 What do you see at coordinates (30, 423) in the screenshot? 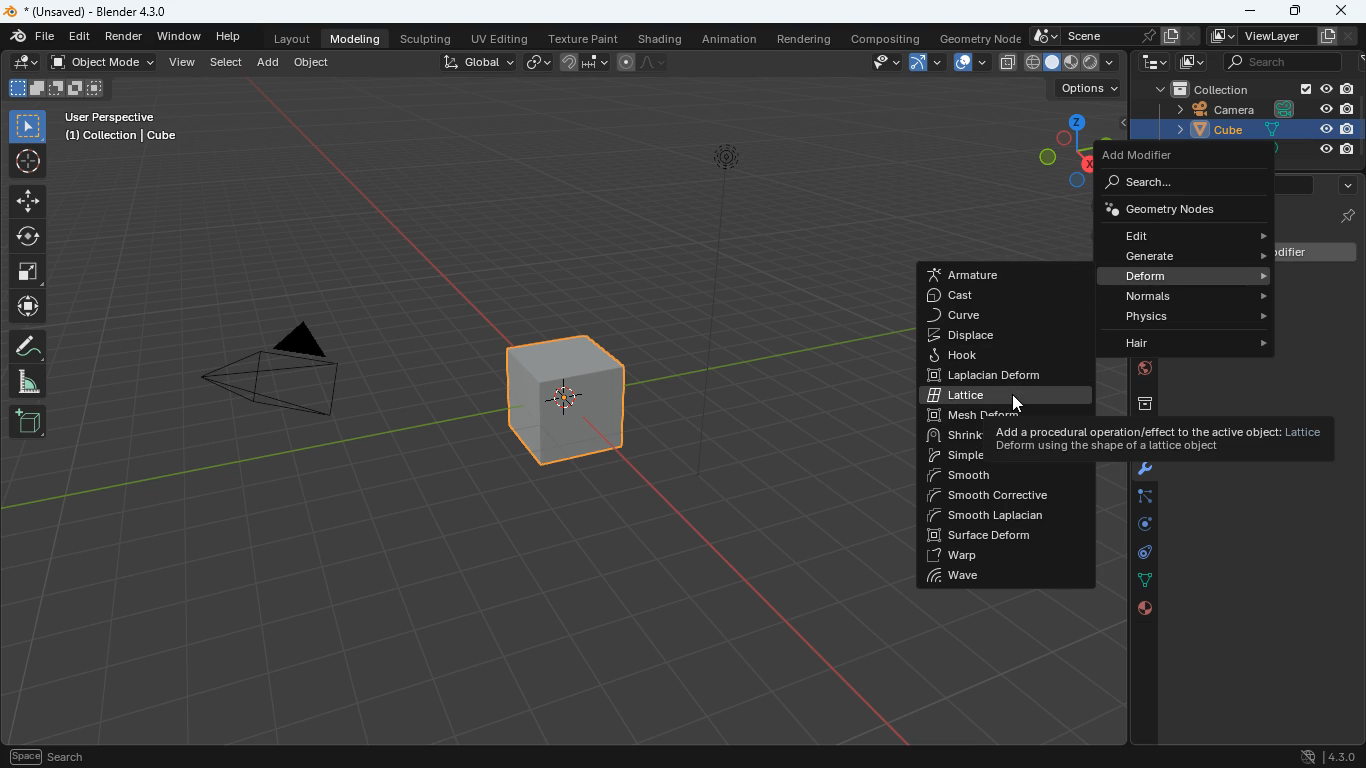
I see `new` at bounding box center [30, 423].